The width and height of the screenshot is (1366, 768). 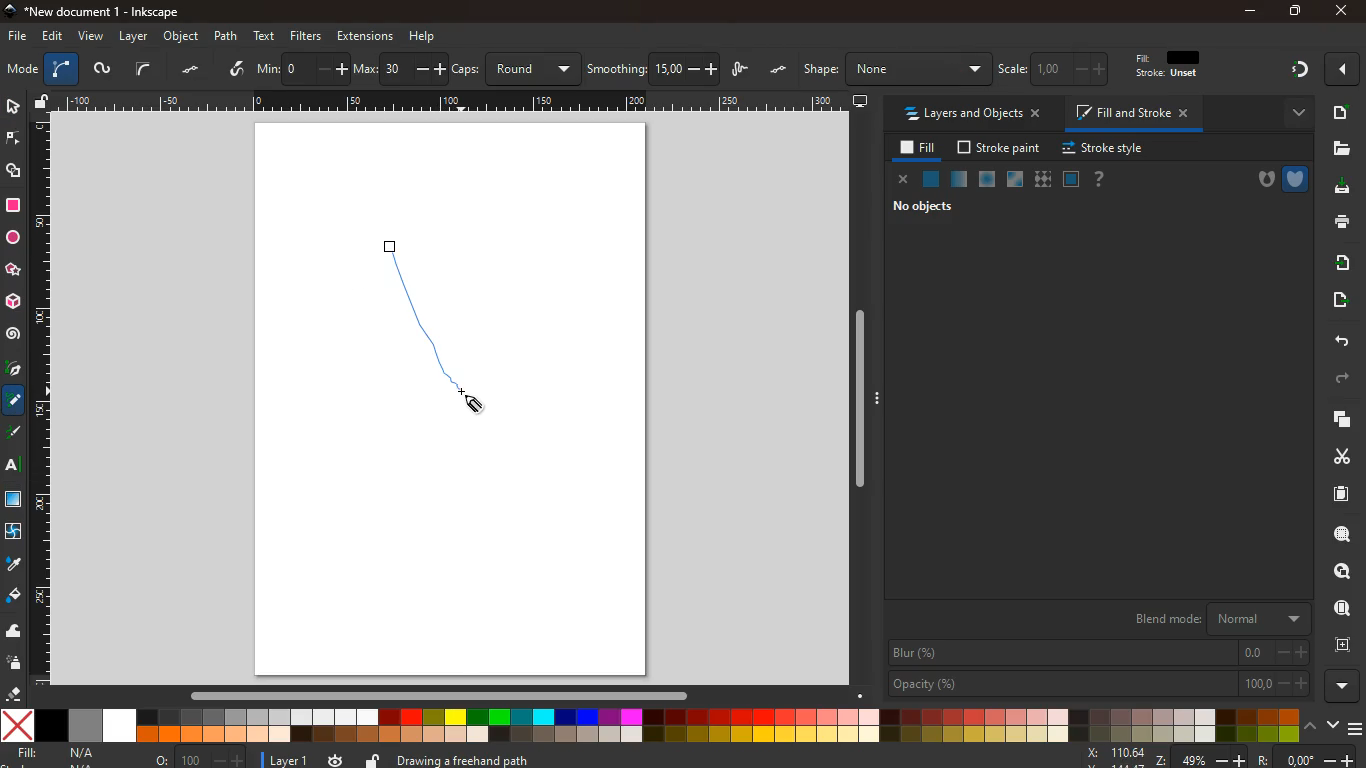 I want to click on frame, so click(x=1344, y=572).